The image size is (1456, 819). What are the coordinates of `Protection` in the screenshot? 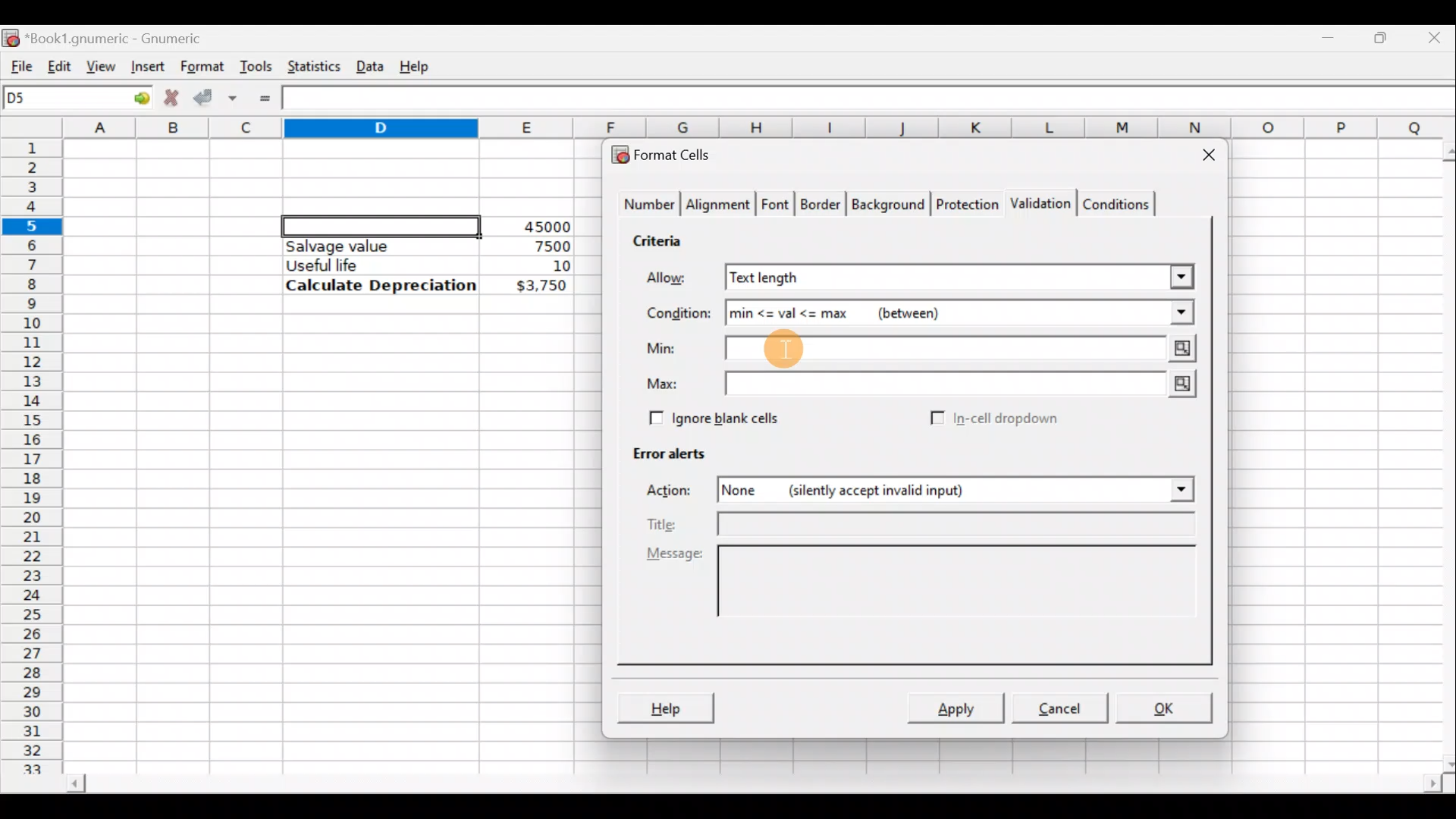 It's located at (964, 206).